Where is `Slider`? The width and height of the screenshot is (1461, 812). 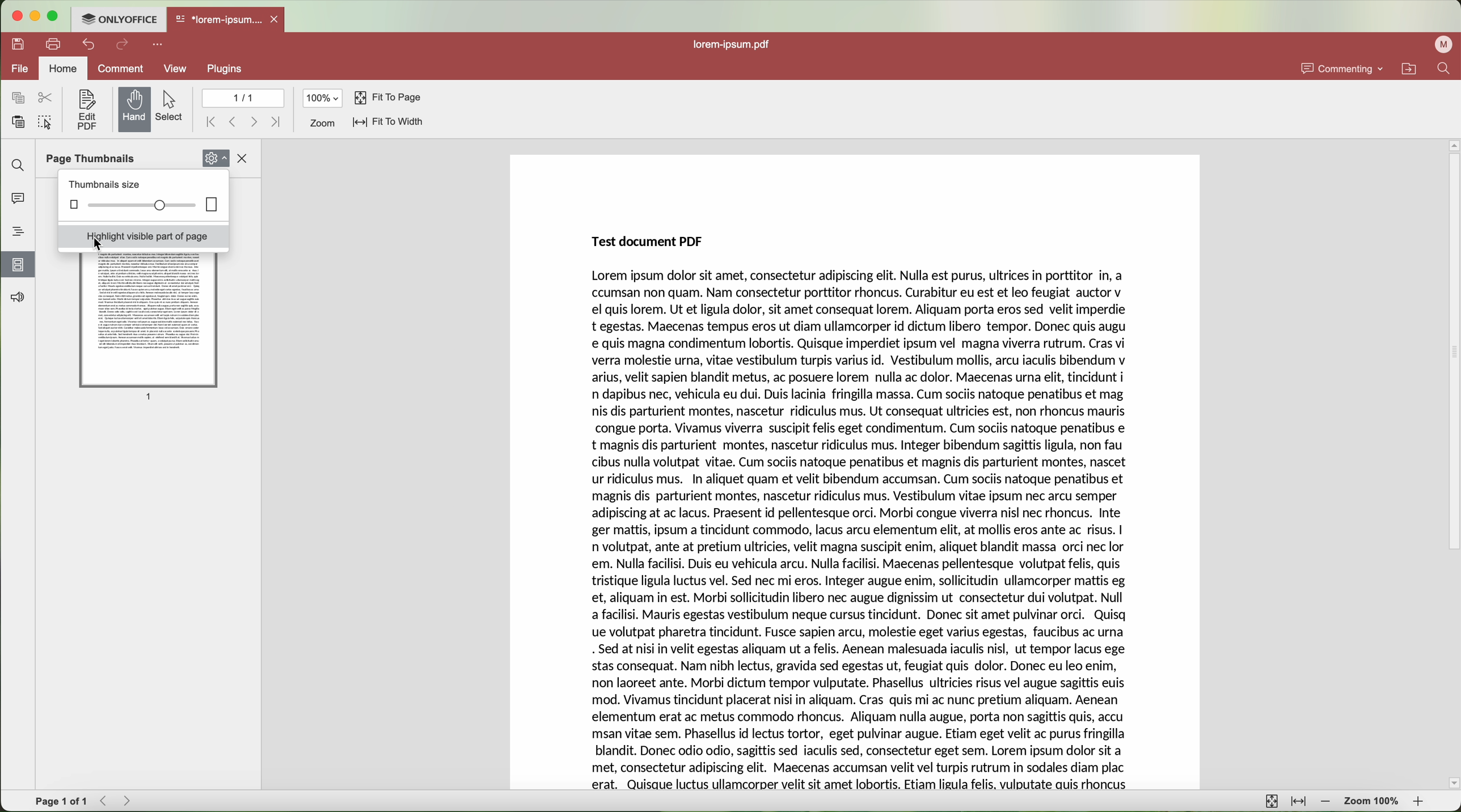 Slider is located at coordinates (146, 205).